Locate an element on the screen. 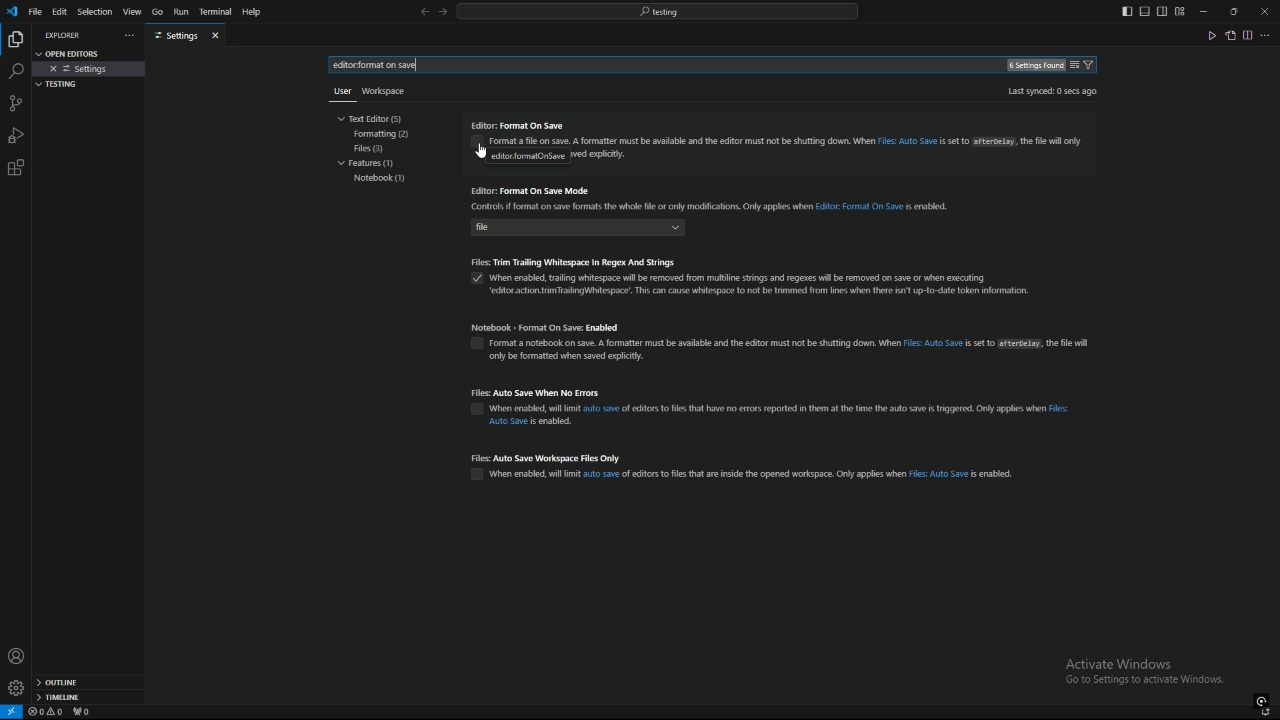 The height and width of the screenshot is (720, 1280). change settings  is located at coordinates (1074, 65).